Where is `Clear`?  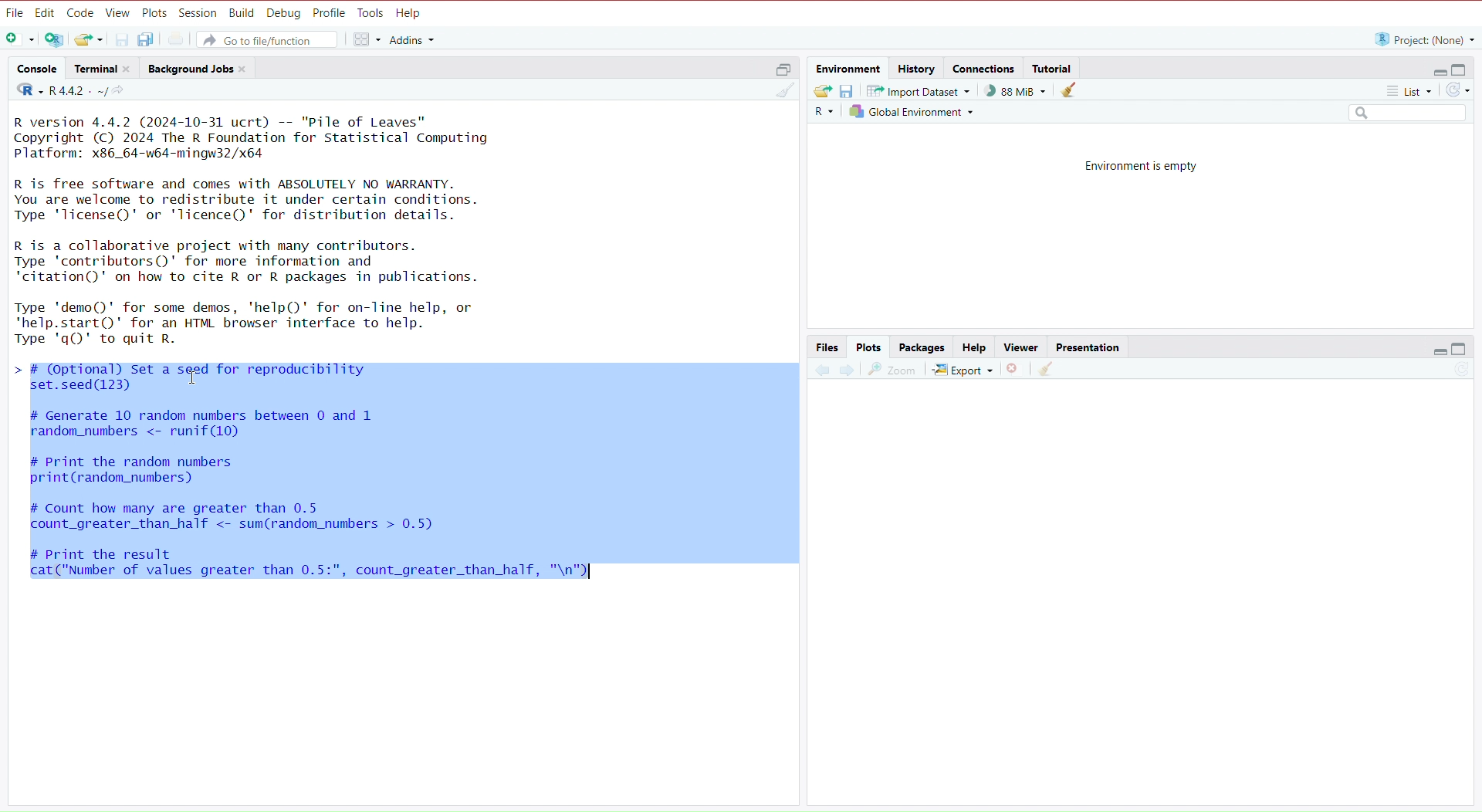 Clear is located at coordinates (783, 90).